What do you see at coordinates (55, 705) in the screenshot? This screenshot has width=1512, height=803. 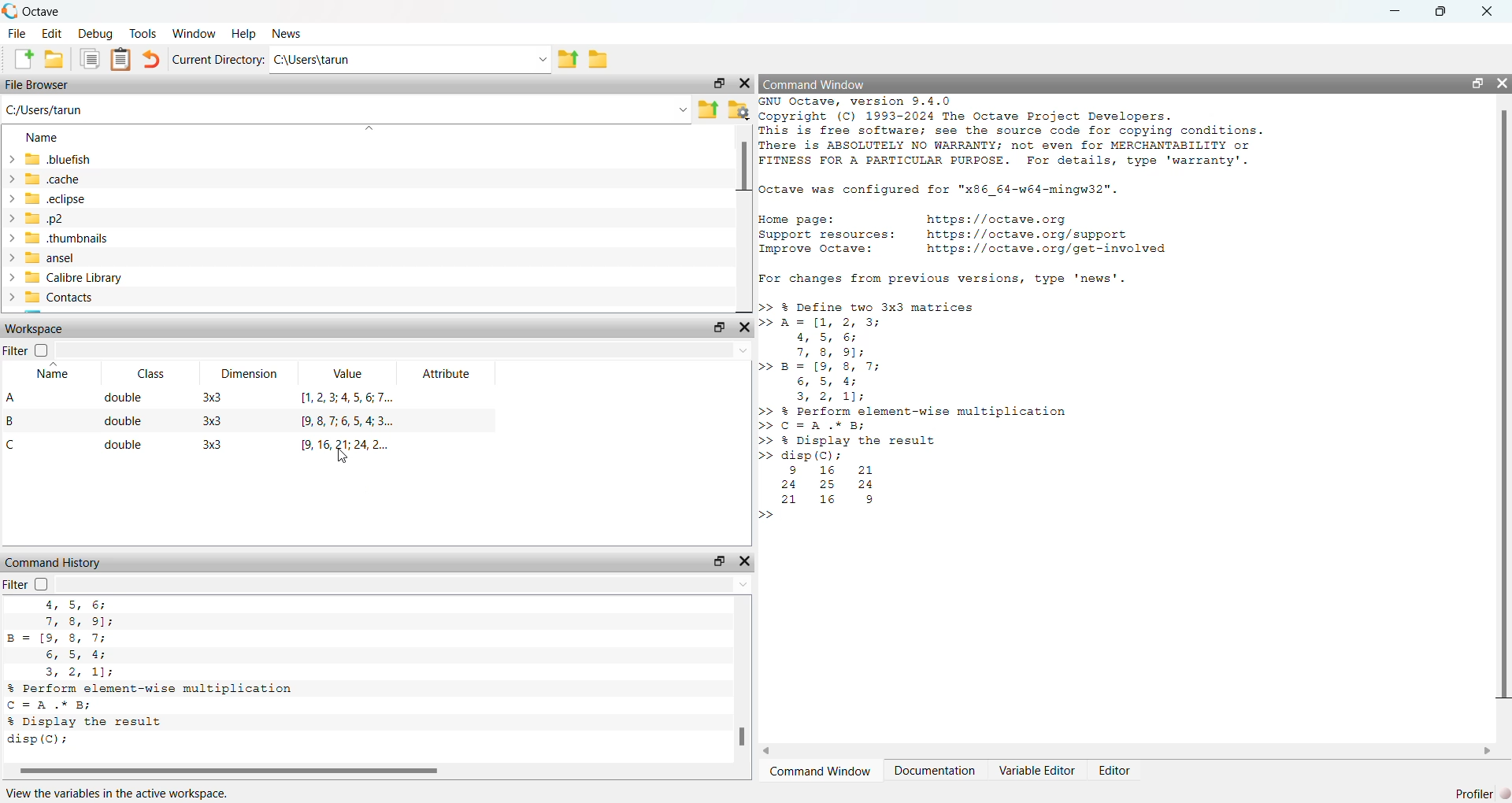 I see `C =A .* B;` at bounding box center [55, 705].